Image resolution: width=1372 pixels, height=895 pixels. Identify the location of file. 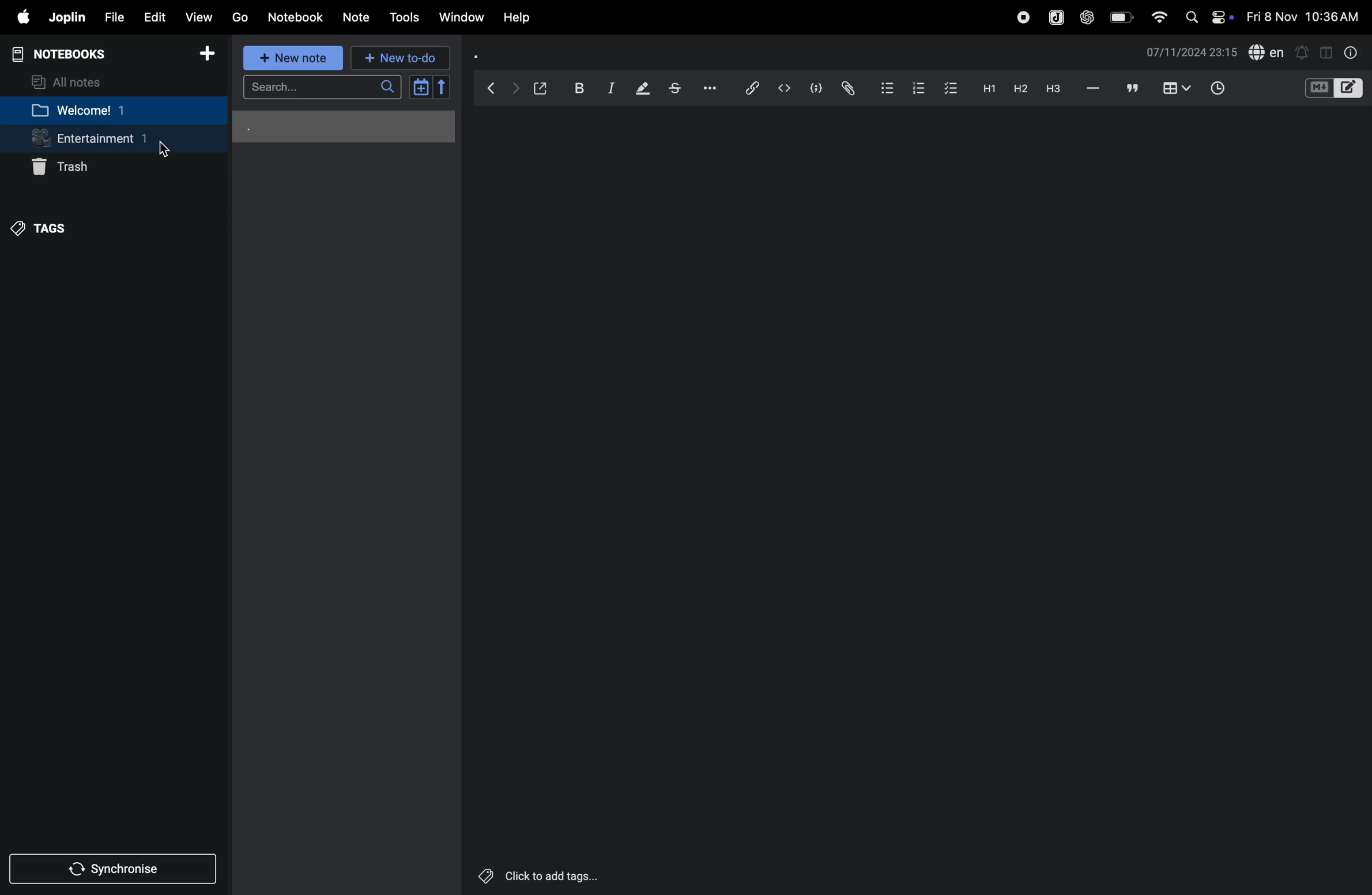
(115, 16).